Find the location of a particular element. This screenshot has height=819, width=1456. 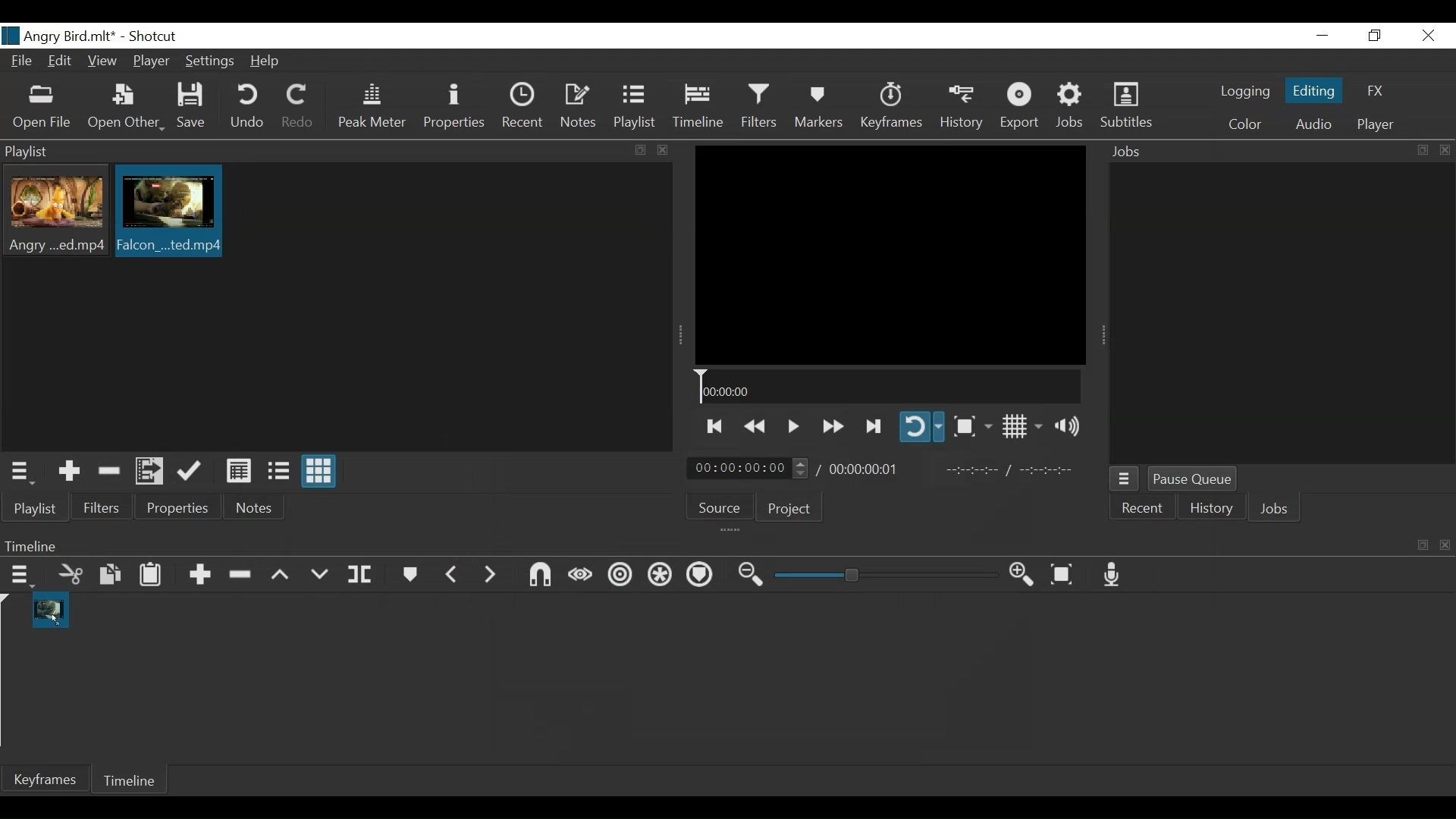

Timeline is located at coordinates (124, 782).